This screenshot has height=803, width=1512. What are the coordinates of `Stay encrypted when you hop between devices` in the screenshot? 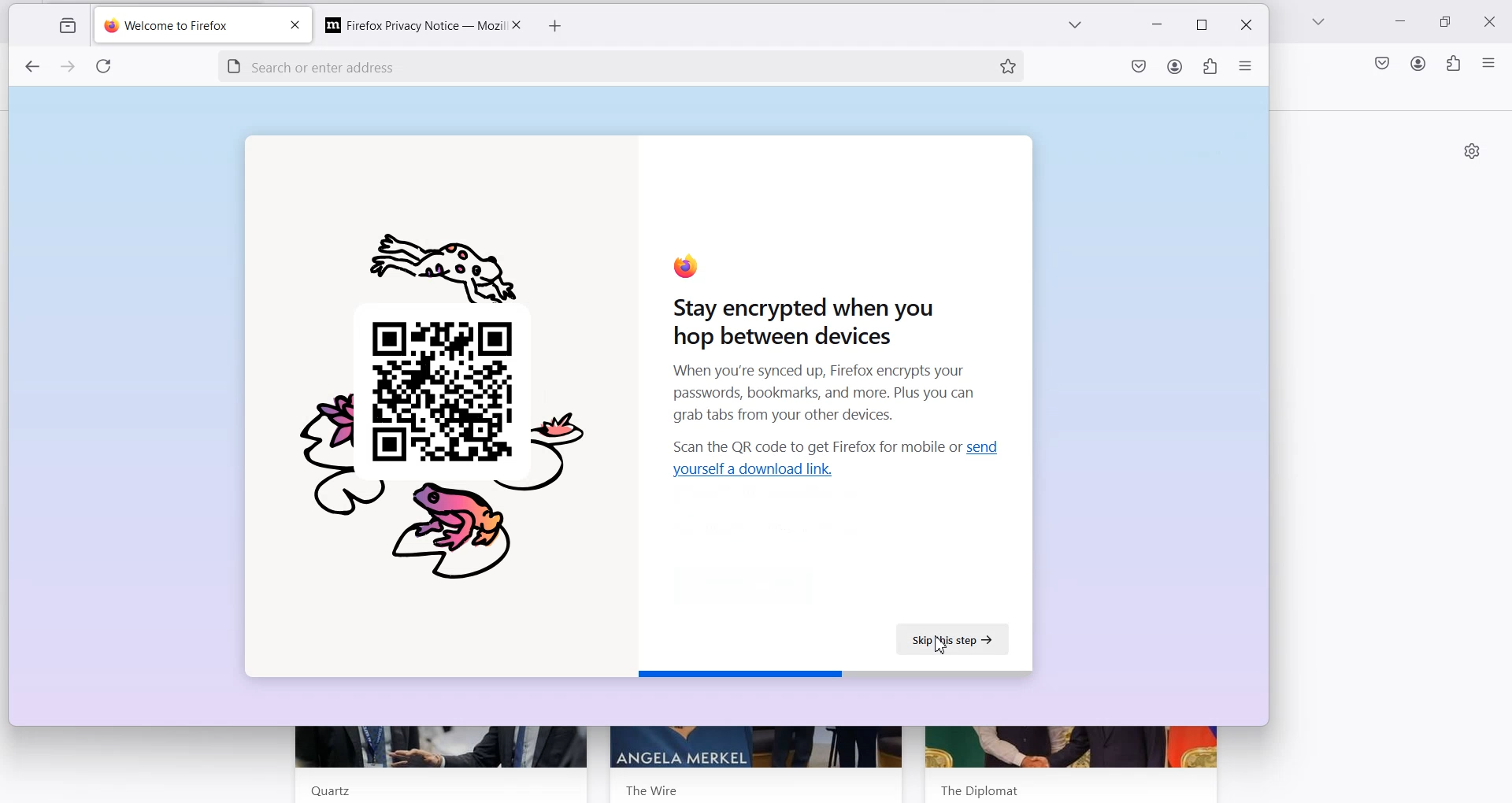 It's located at (793, 322).